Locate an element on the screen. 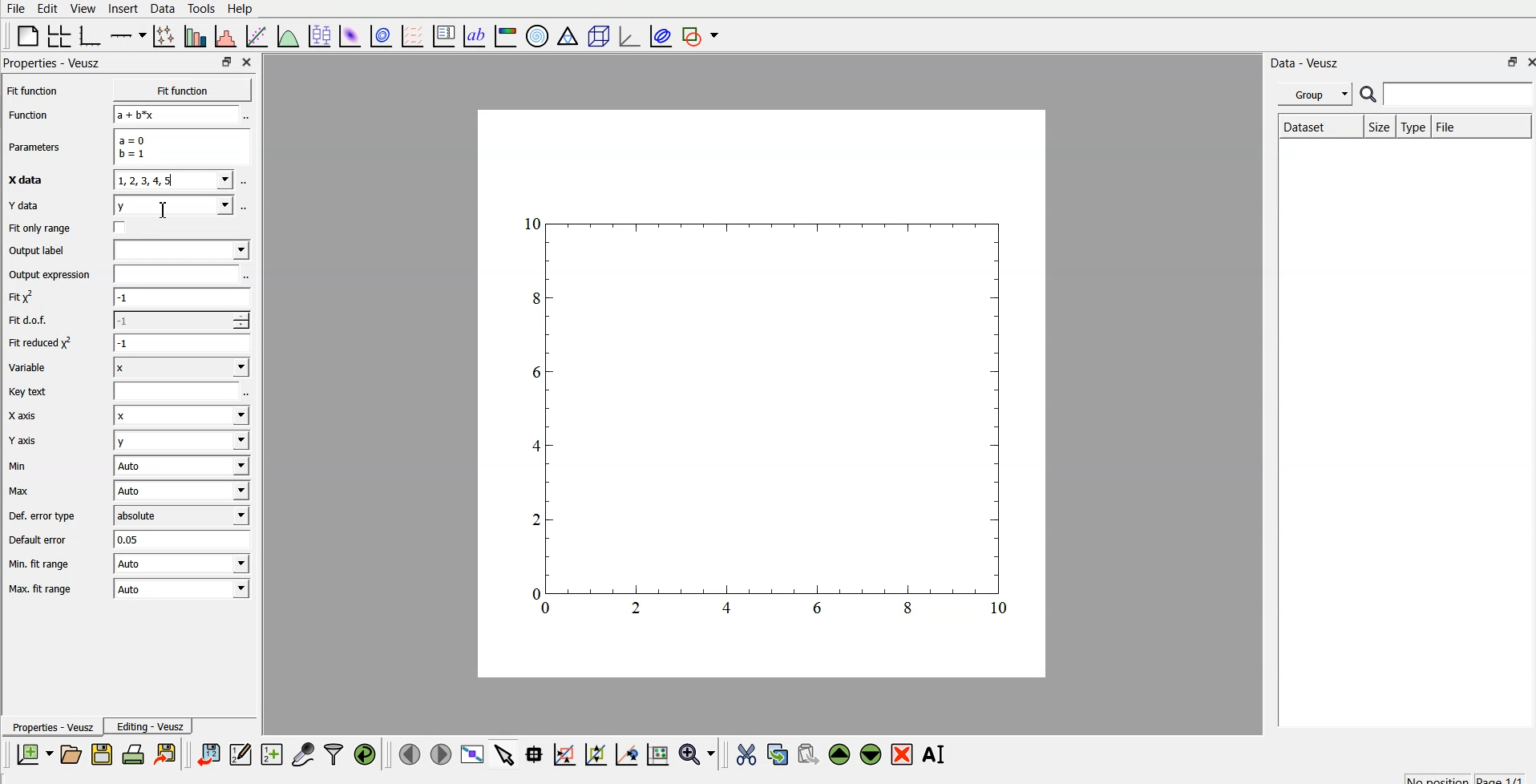 The height and width of the screenshot is (784, 1536). | Auto is located at coordinates (184, 466).